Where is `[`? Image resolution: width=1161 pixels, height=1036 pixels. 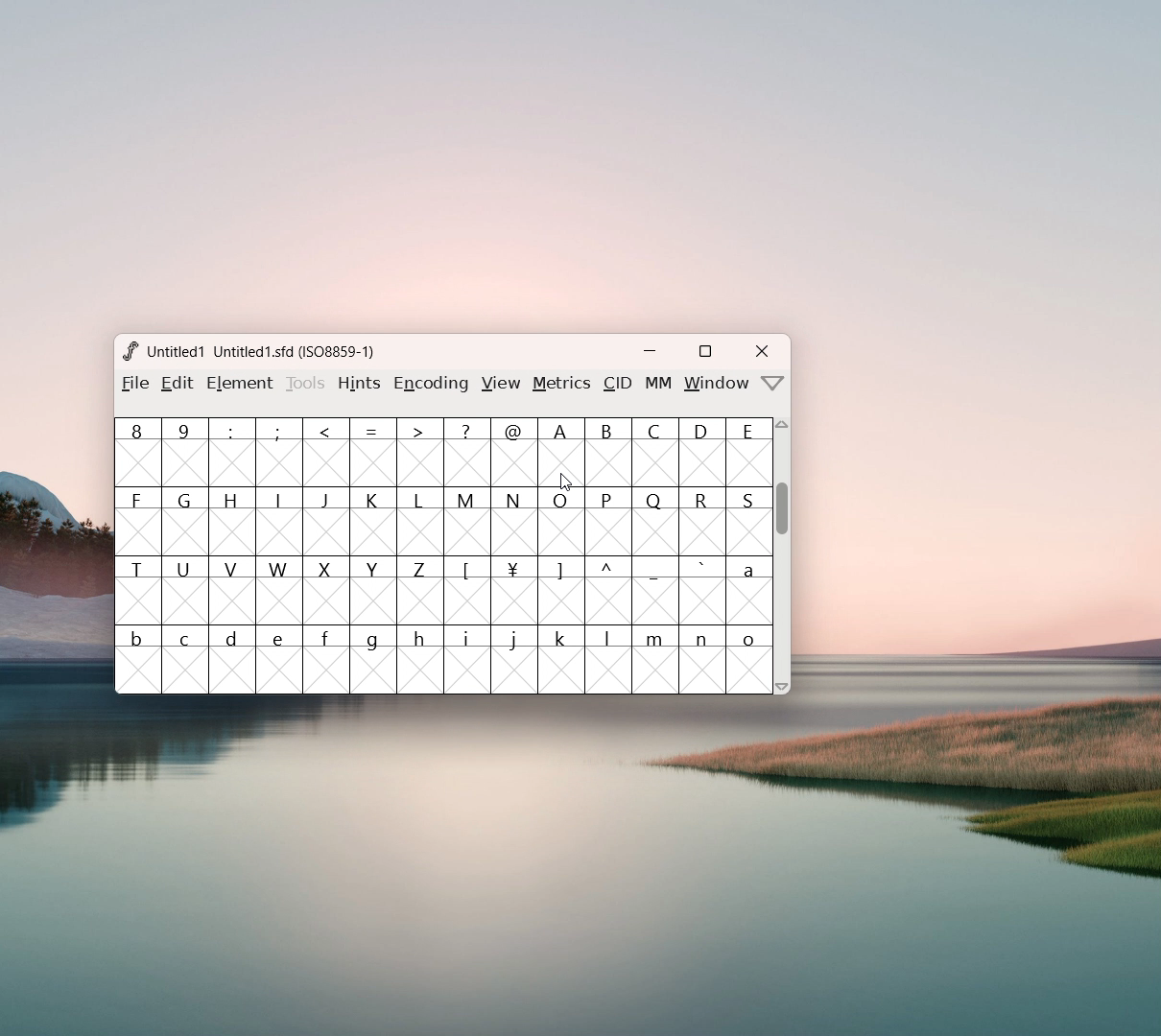 [ is located at coordinates (467, 592).